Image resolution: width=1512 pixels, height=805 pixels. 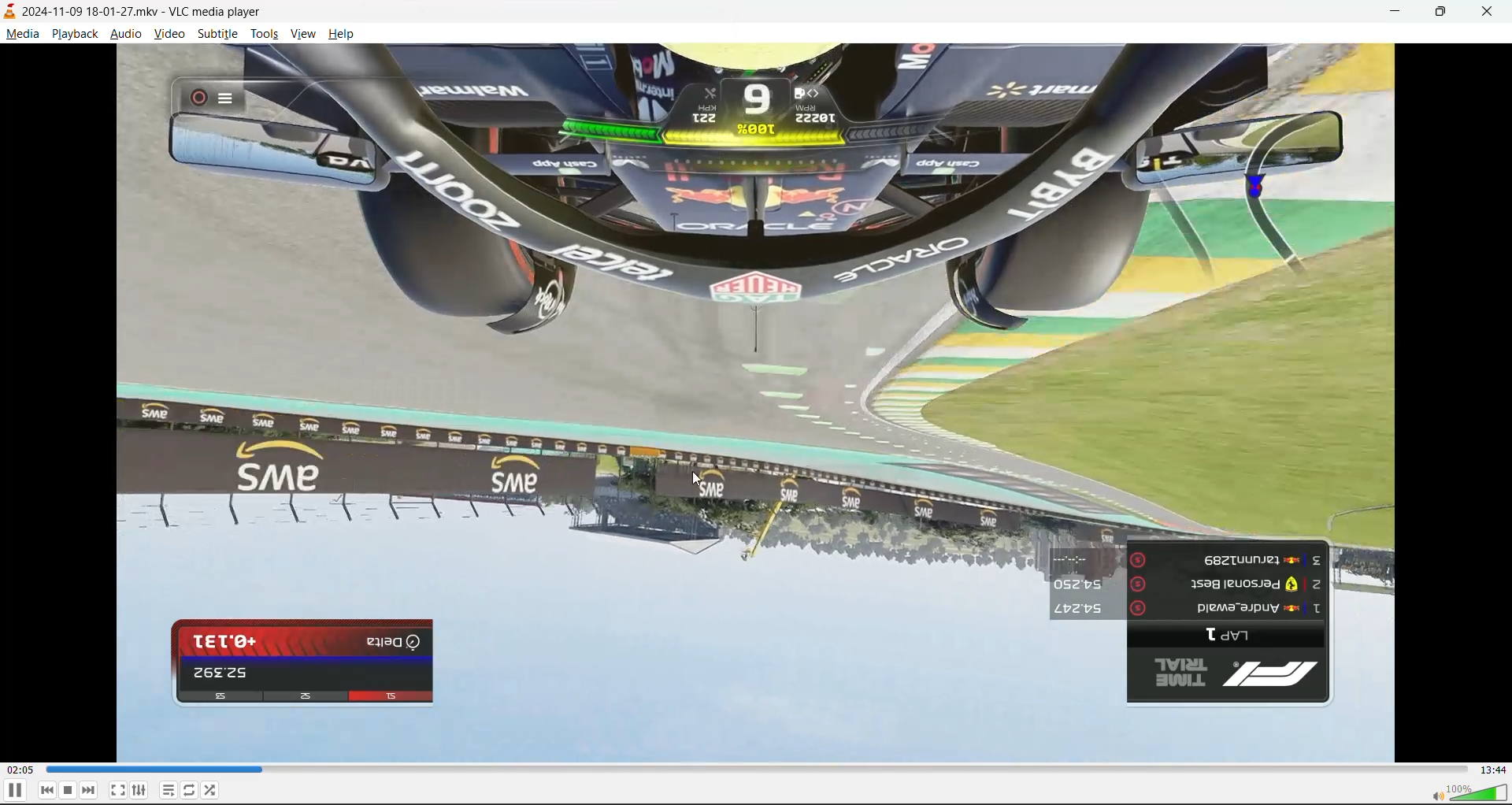 I want to click on minimize, so click(x=1399, y=13).